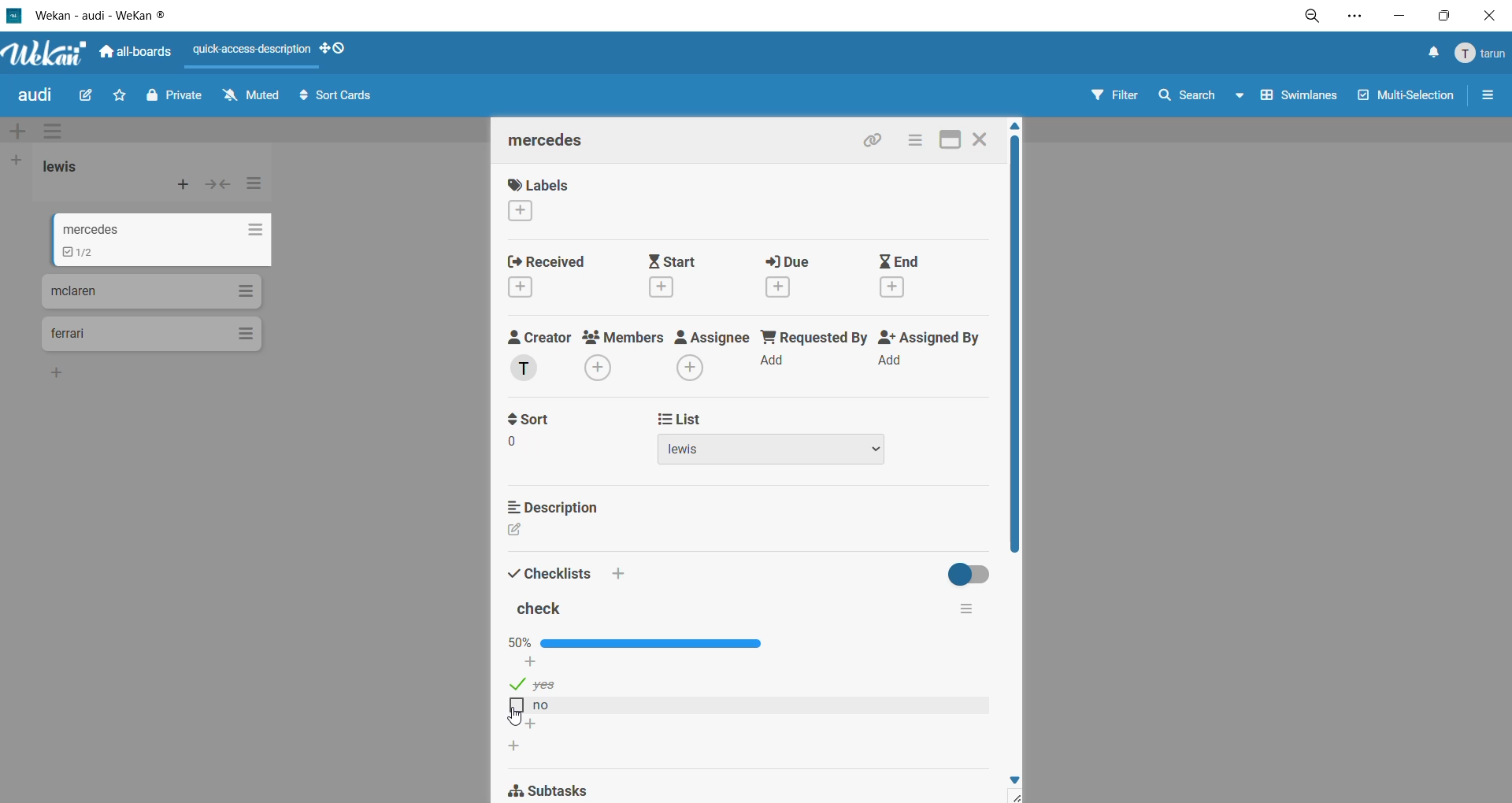 Image resolution: width=1512 pixels, height=803 pixels. I want to click on start, so click(684, 276).